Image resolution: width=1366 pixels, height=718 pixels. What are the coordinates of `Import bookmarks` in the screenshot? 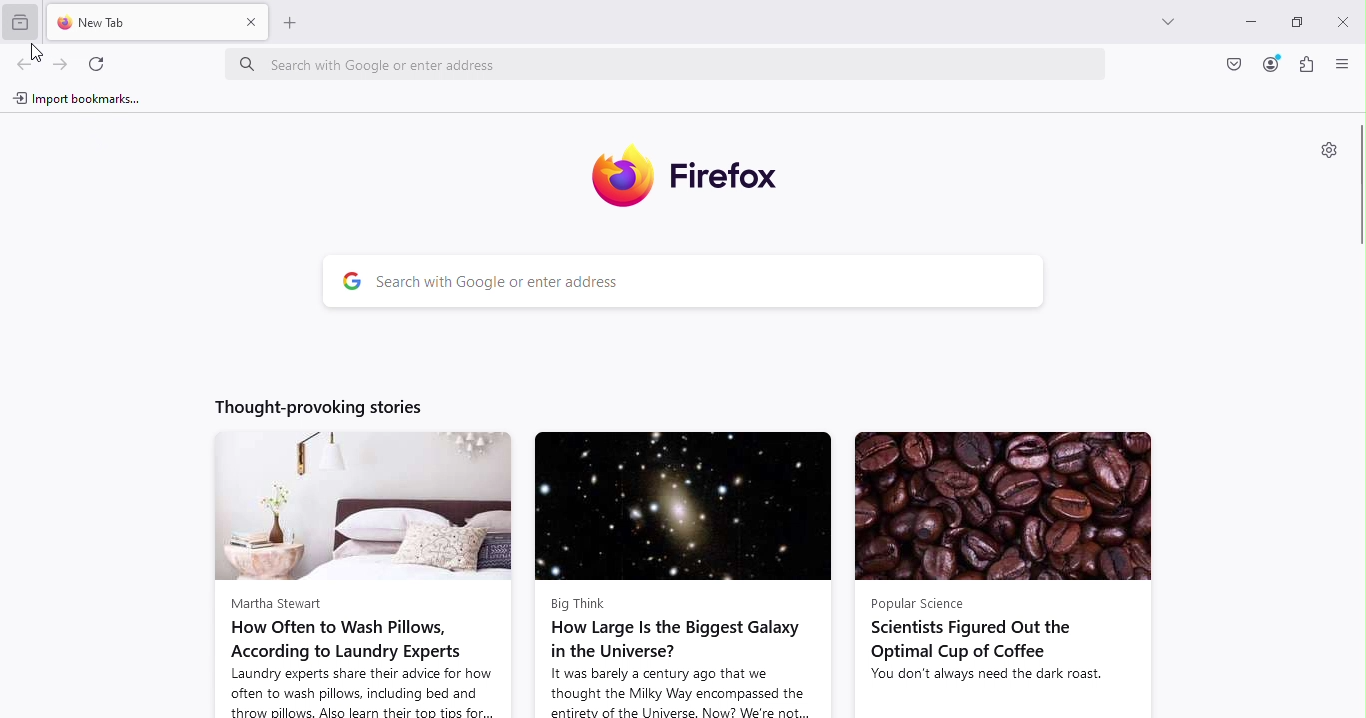 It's located at (78, 99).